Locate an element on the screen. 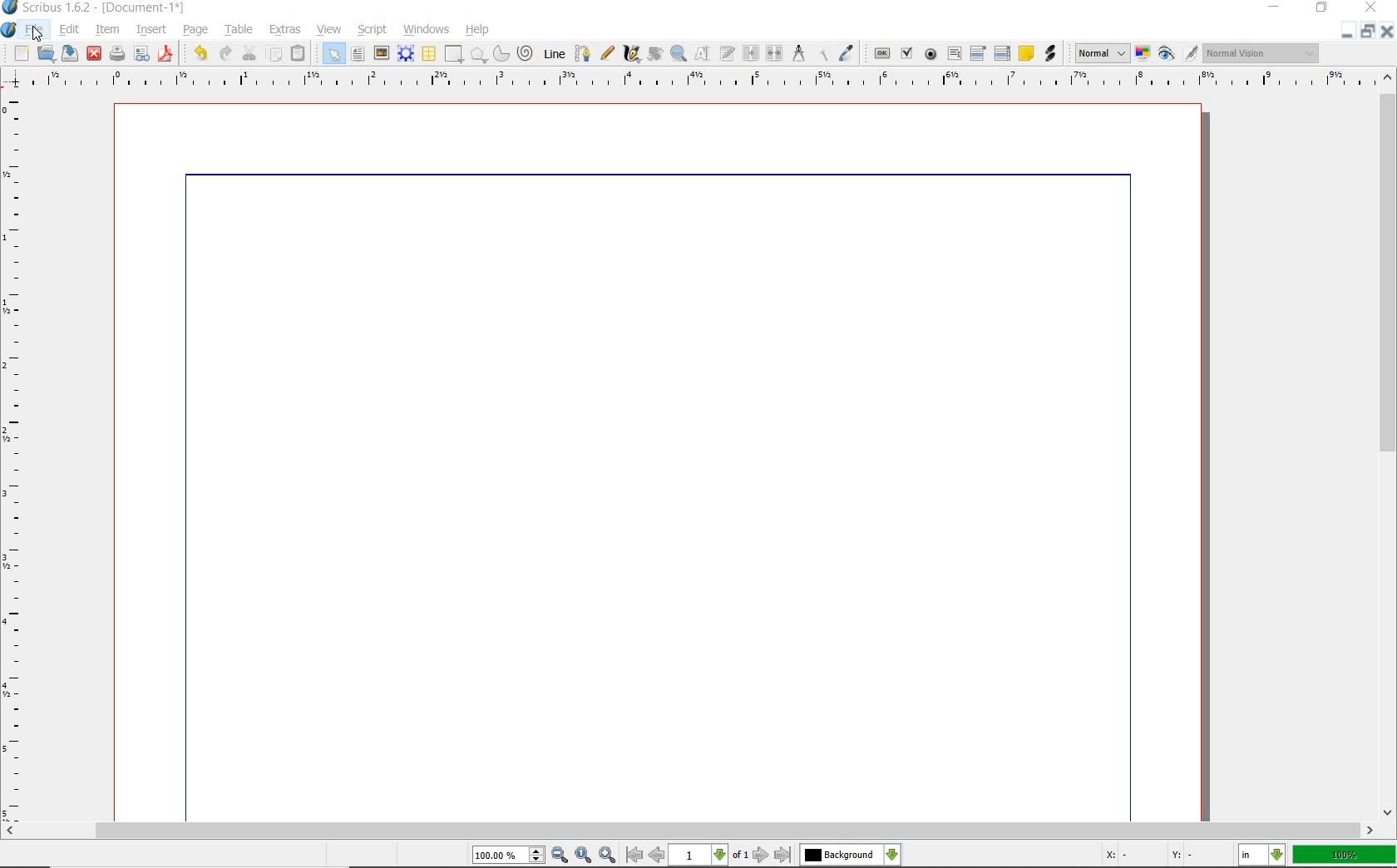 The height and width of the screenshot is (868, 1397). table is located at coordinates (239, 29).